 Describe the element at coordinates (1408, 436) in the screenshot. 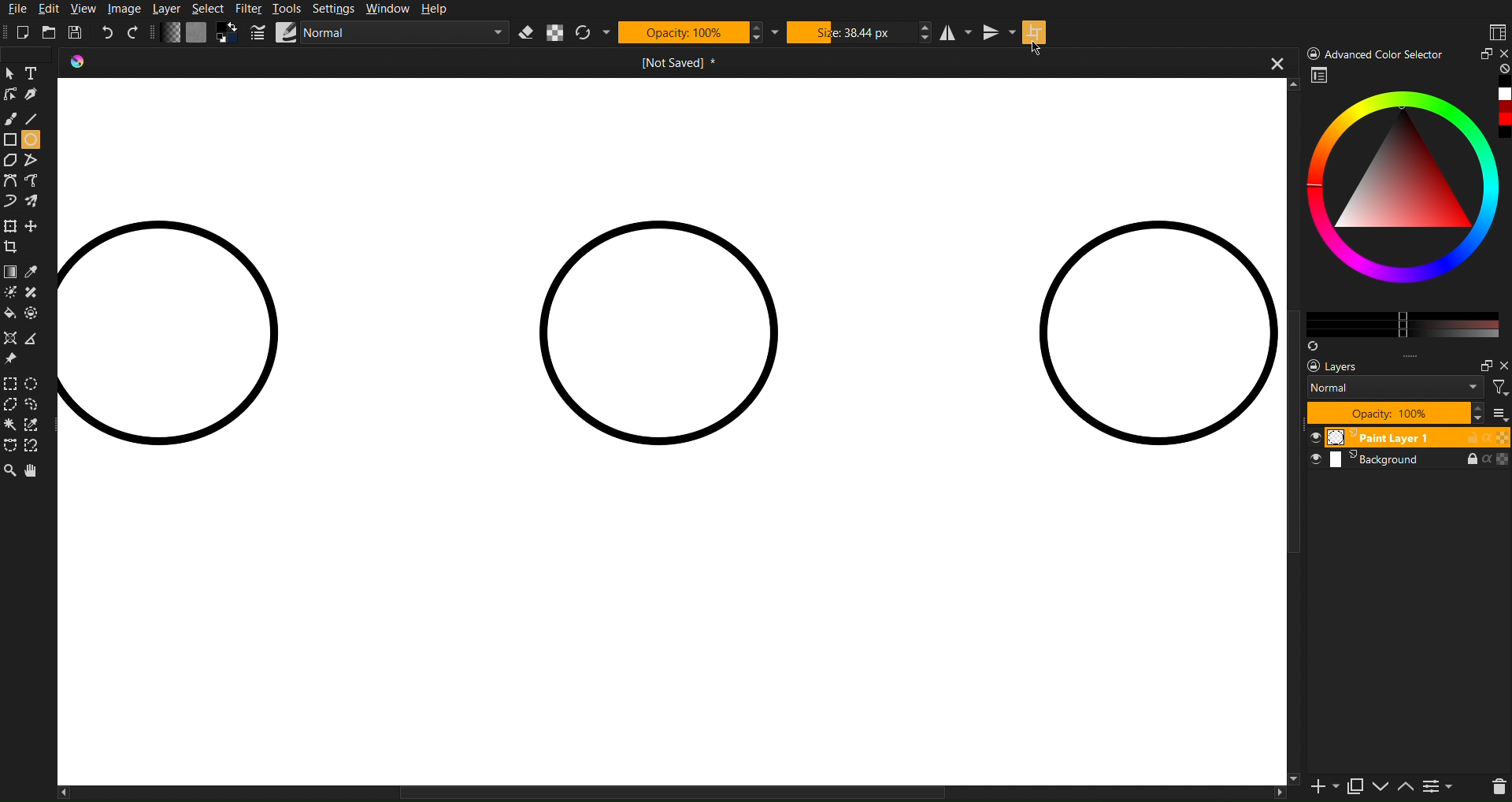

I see `Paint Layer 1` at that location.